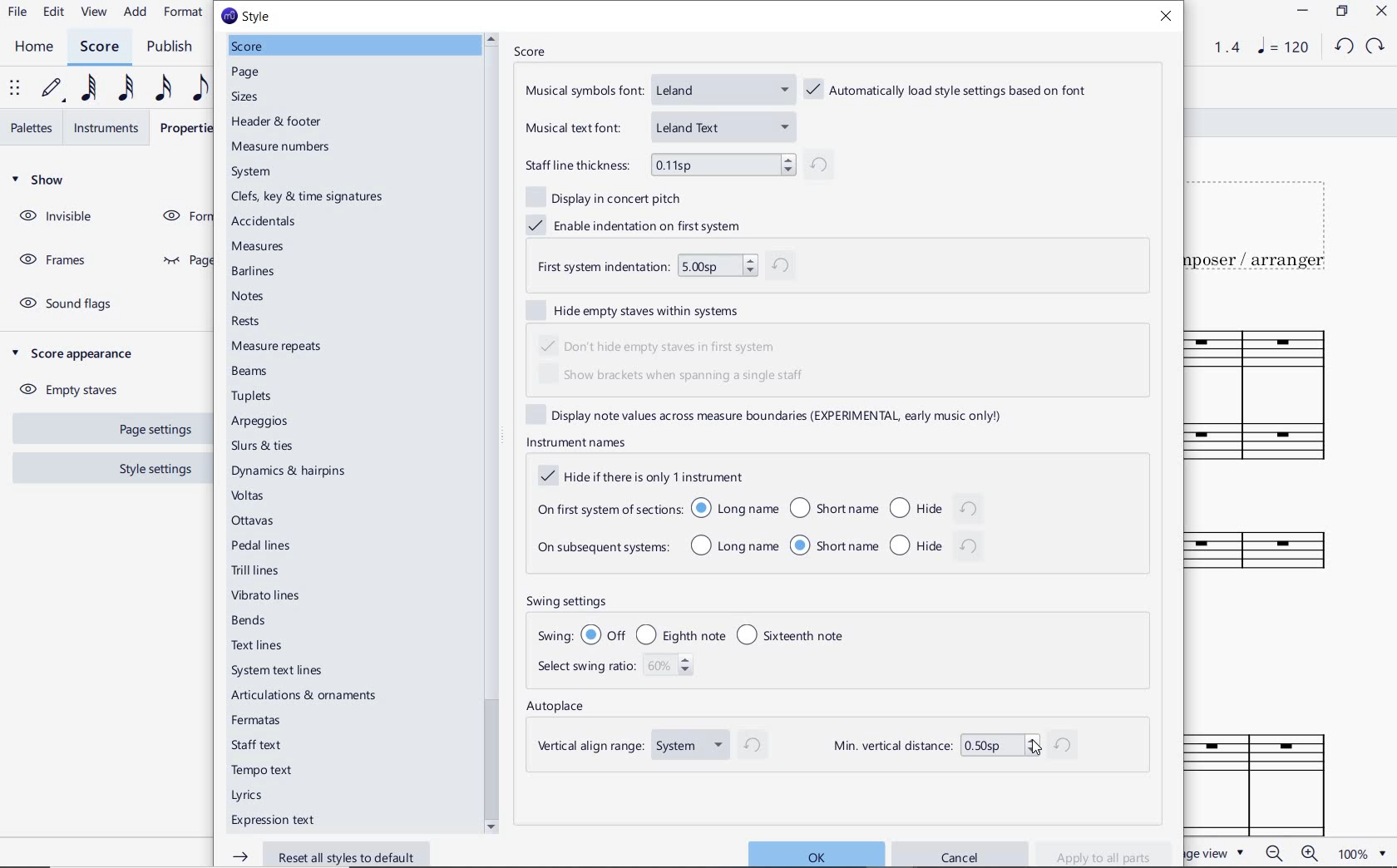 The height and width of the screenshot is (868, 1397). Describe the element at coordinates (281, 147) in the screenshot. I see `measure numbers` at that location.